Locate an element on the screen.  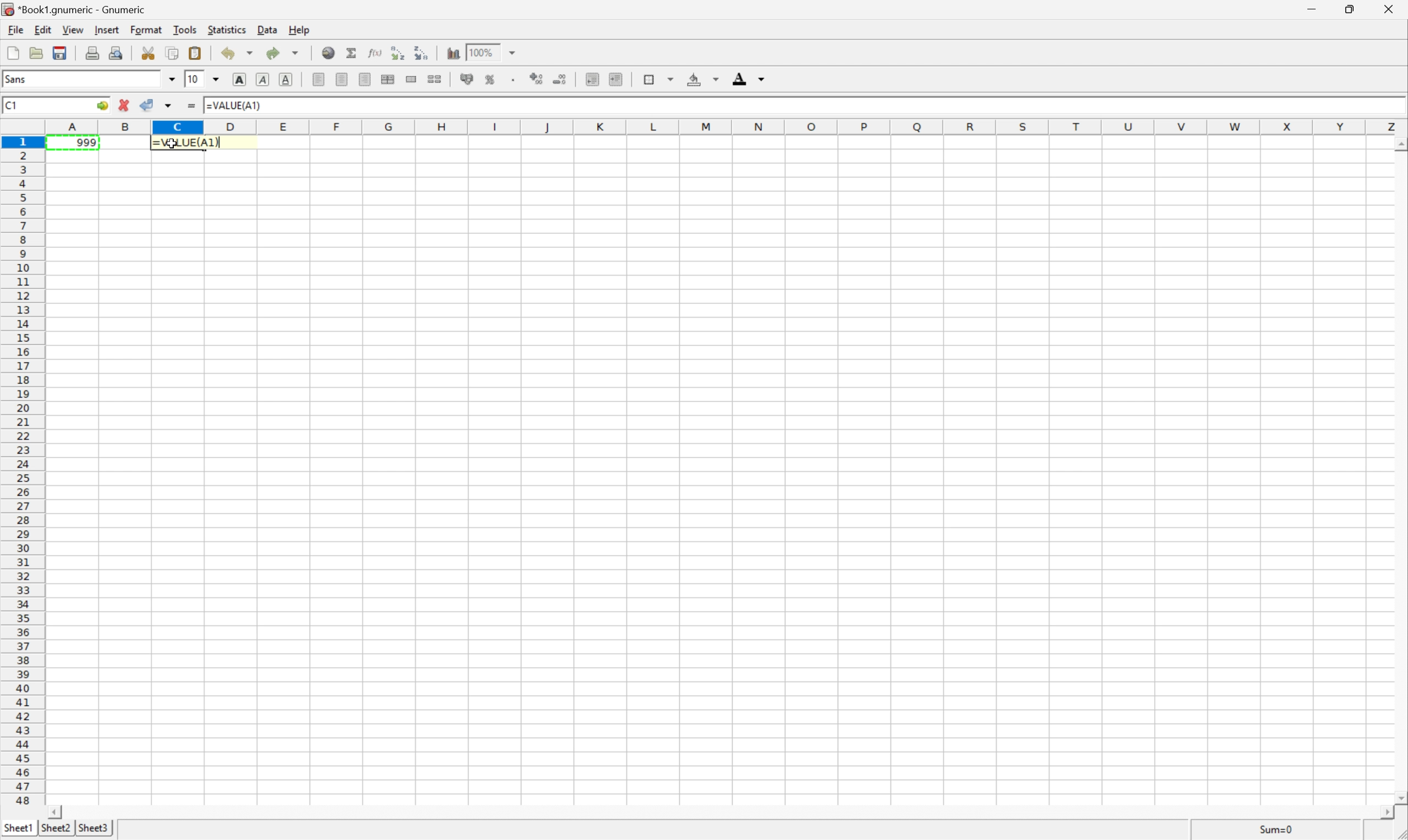
help is located at coordinates (301, 31).